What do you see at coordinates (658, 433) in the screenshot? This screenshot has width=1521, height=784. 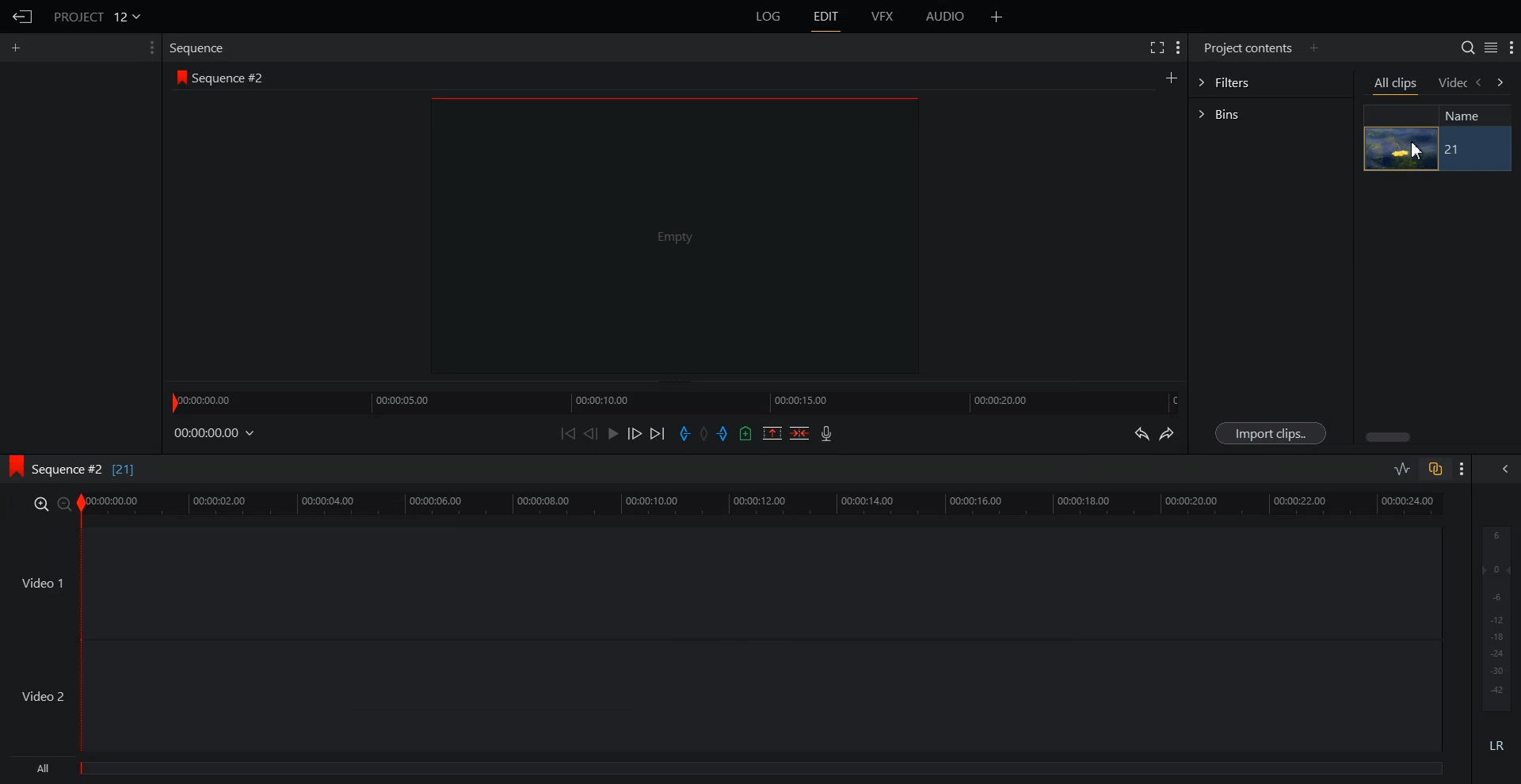 I see `Move Forward` at bounding box center [658, 433].